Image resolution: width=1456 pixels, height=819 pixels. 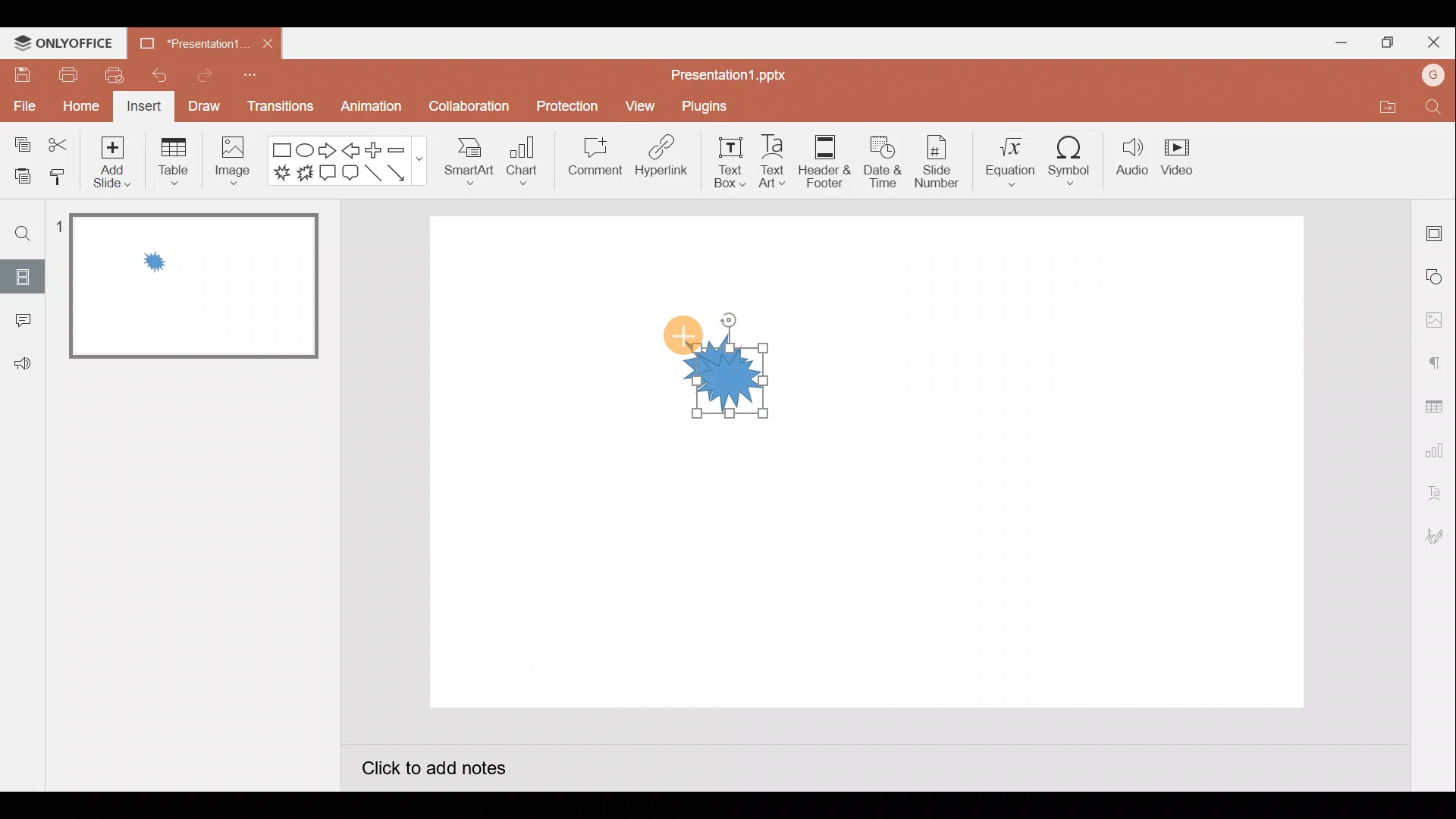 I want to click on Redo, so click(x=199, y=76).